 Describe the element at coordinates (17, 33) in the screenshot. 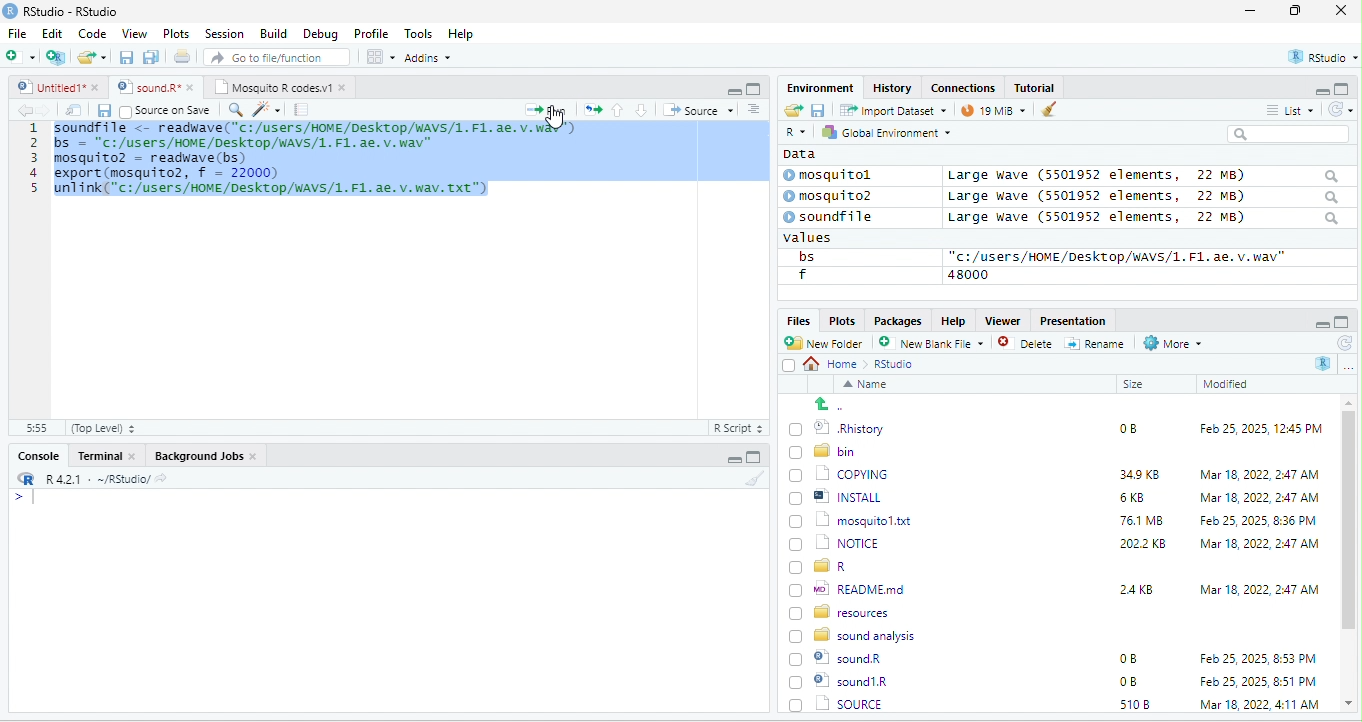

I see `File` at that location.